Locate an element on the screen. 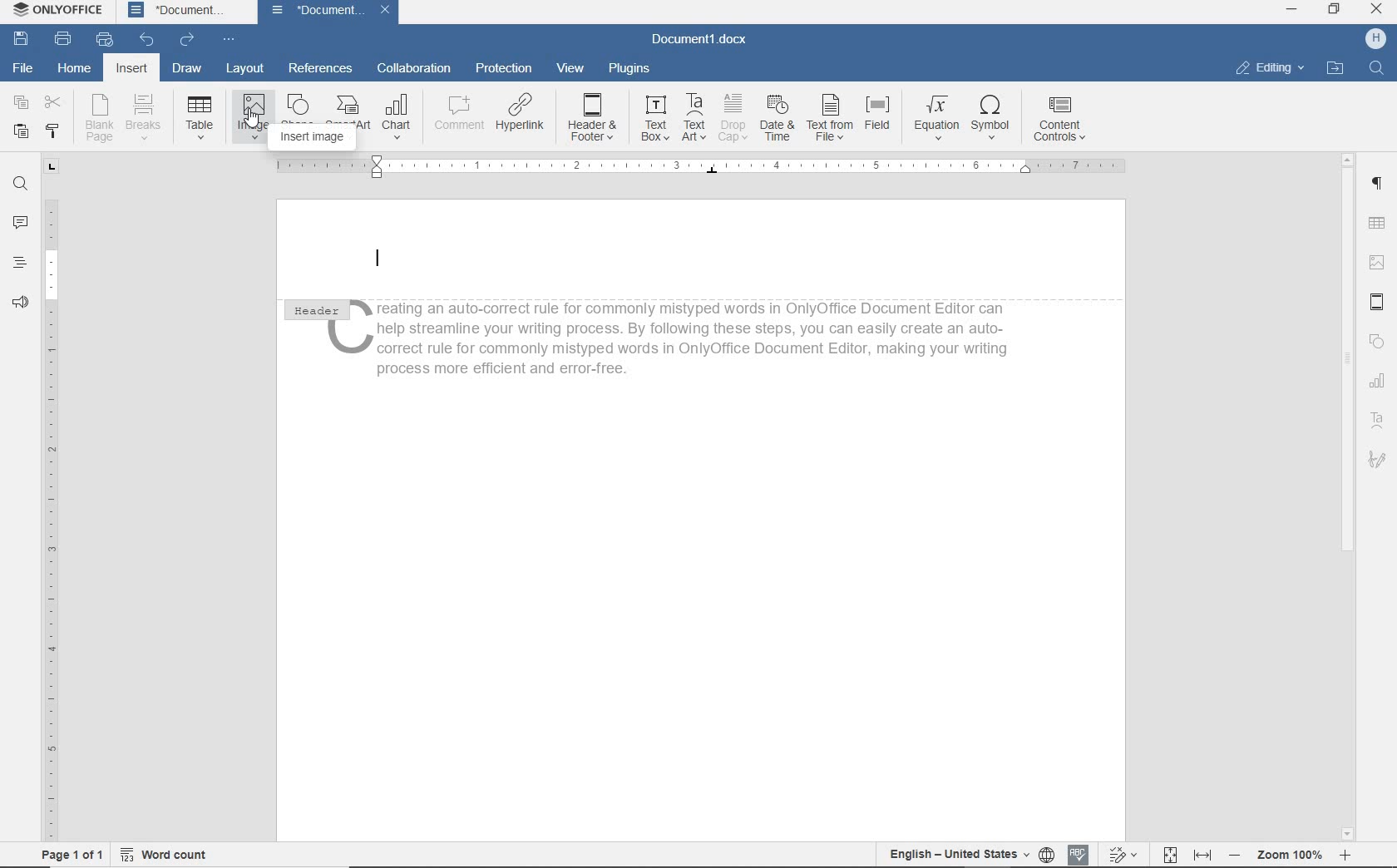 This screenshot has width=1397, height=868. DOCUMENT .docx is located at coordinates (699, 38).